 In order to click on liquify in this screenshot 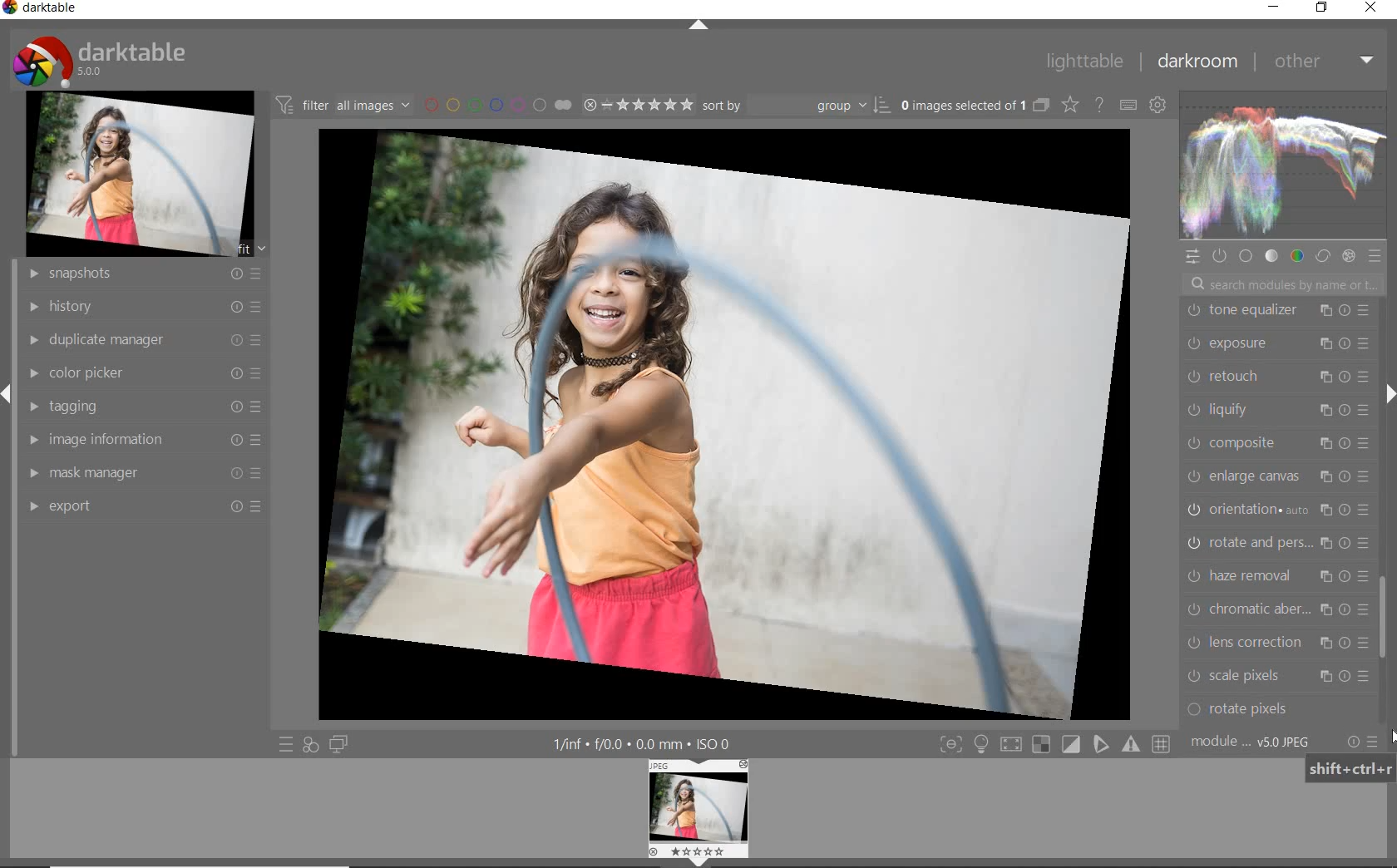, I will do `click(1276, 411)`.